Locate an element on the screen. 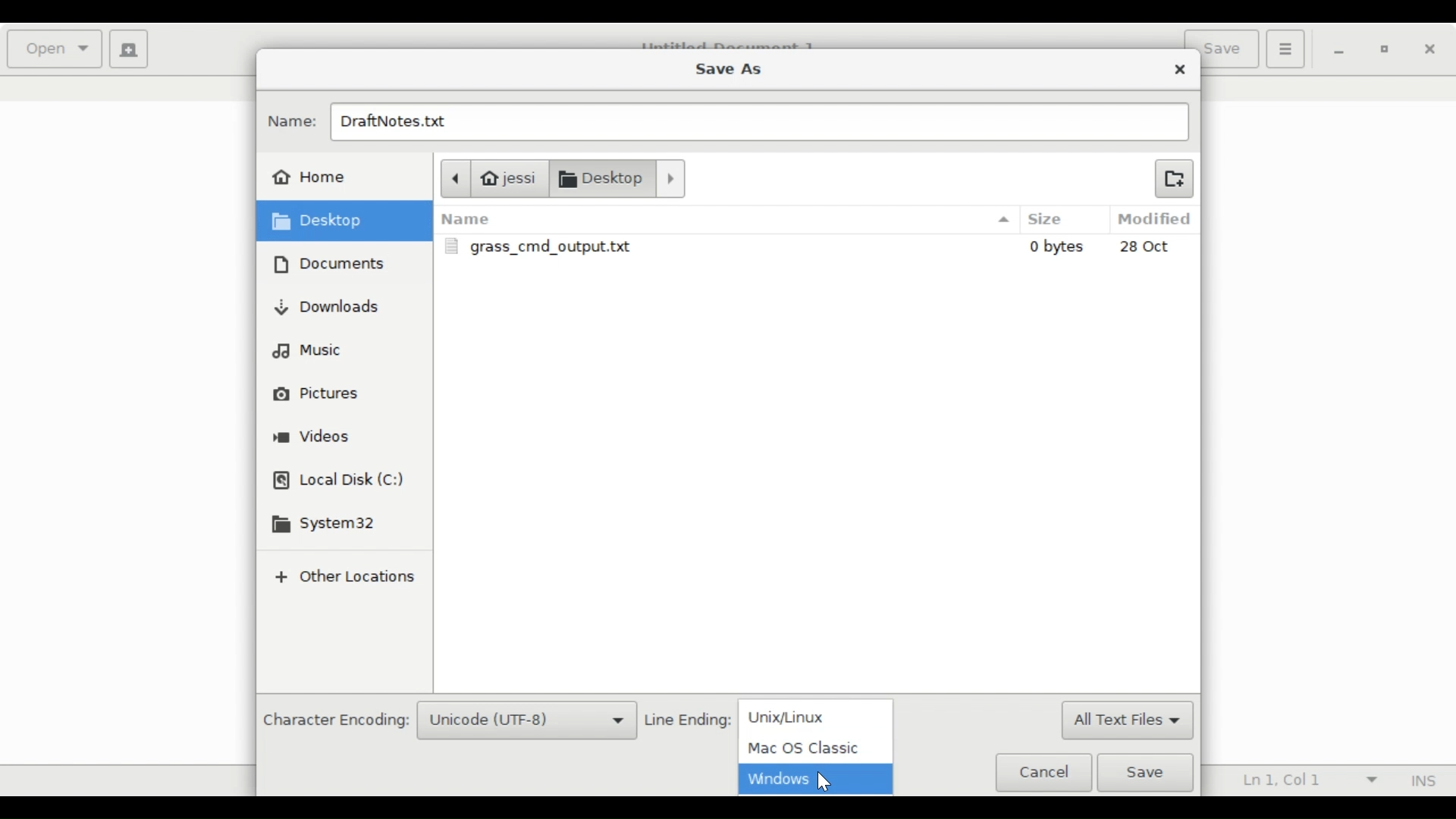  Line Ending is located at coordinates (689, 720).